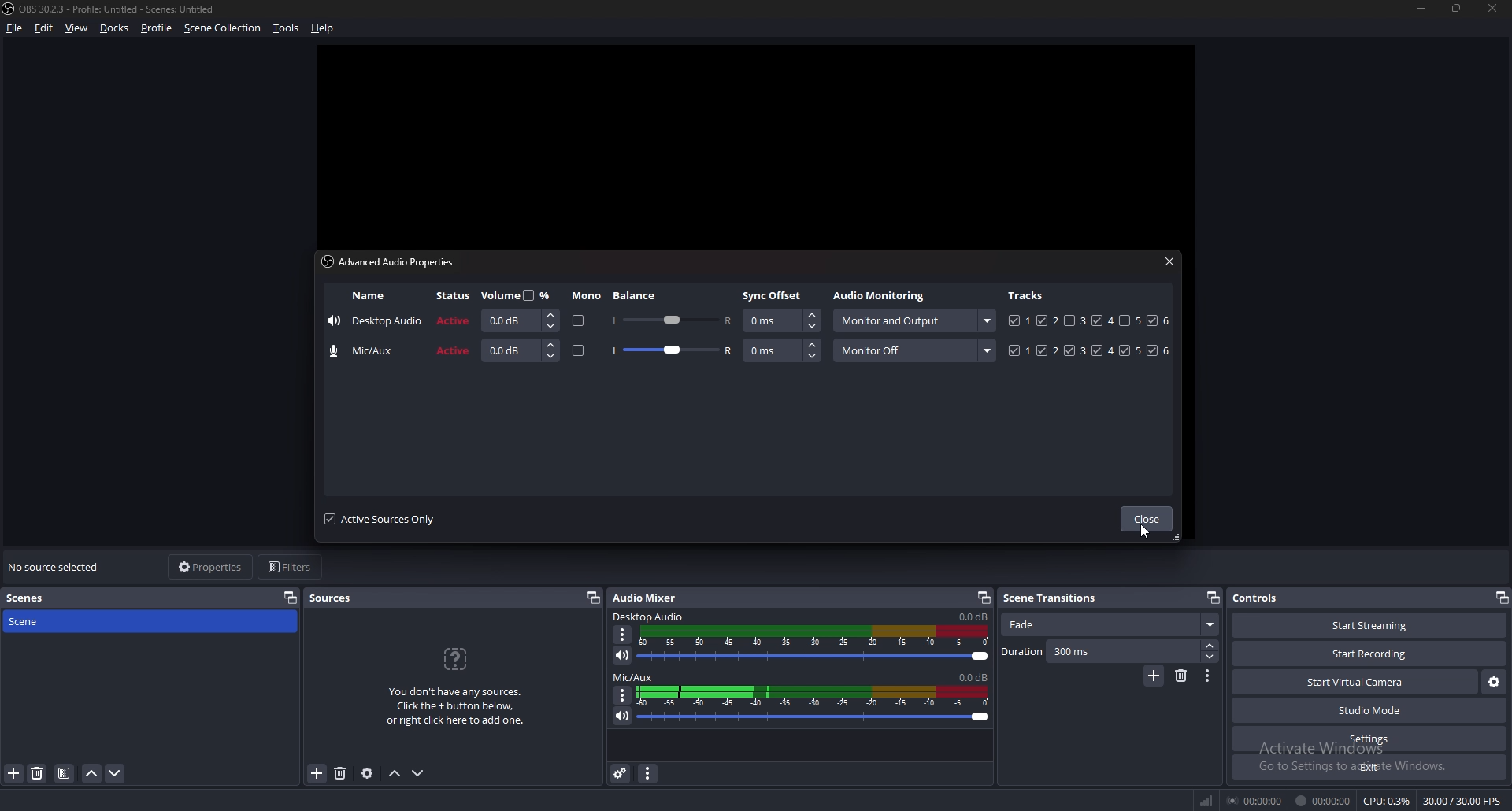  What do you see at coordinates (342, 772) in the screenshot?
I see `delete source` at bounding box center [342, 772].